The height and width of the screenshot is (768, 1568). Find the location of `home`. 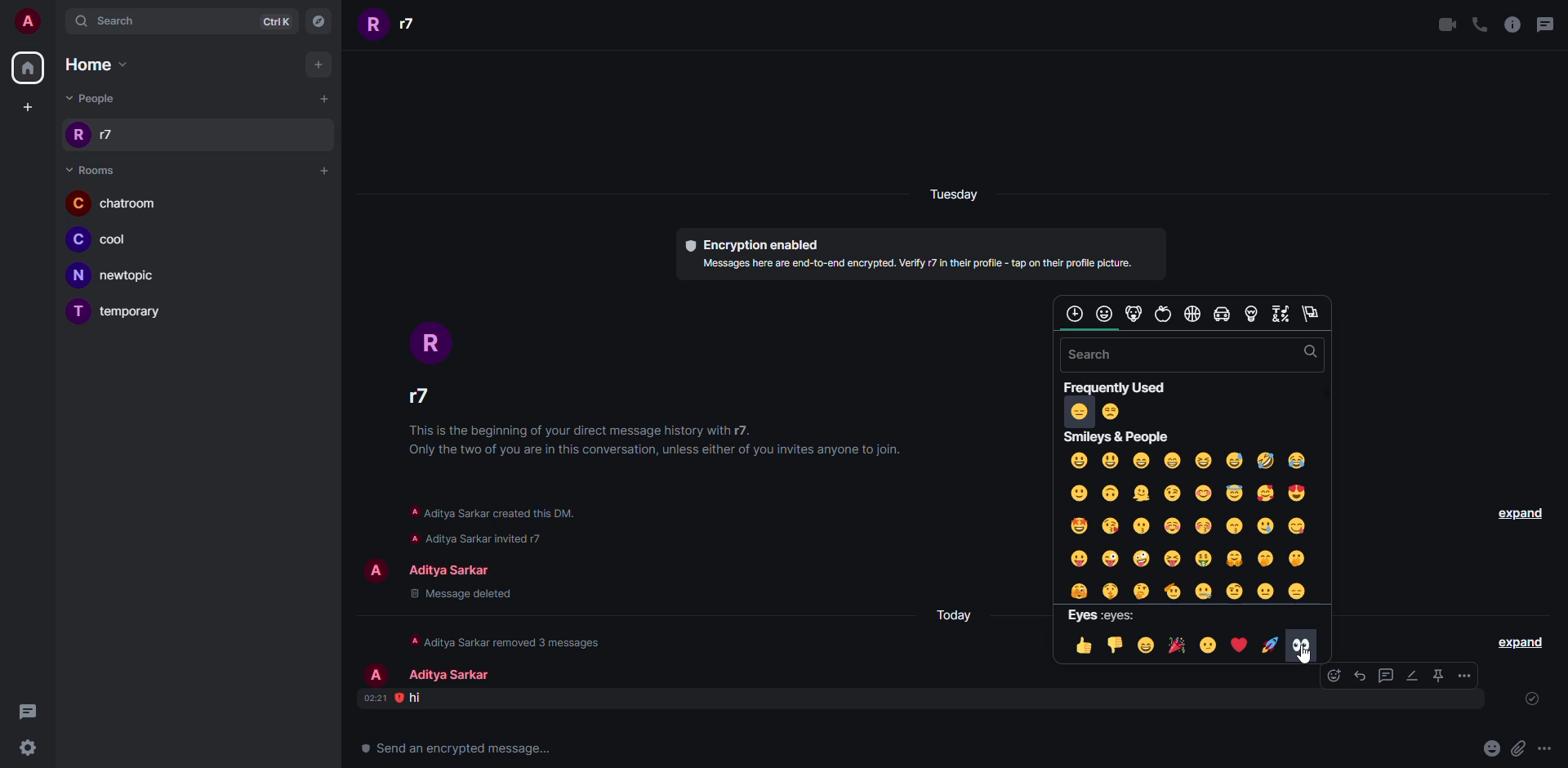

home is located at coordinates (28, 68).